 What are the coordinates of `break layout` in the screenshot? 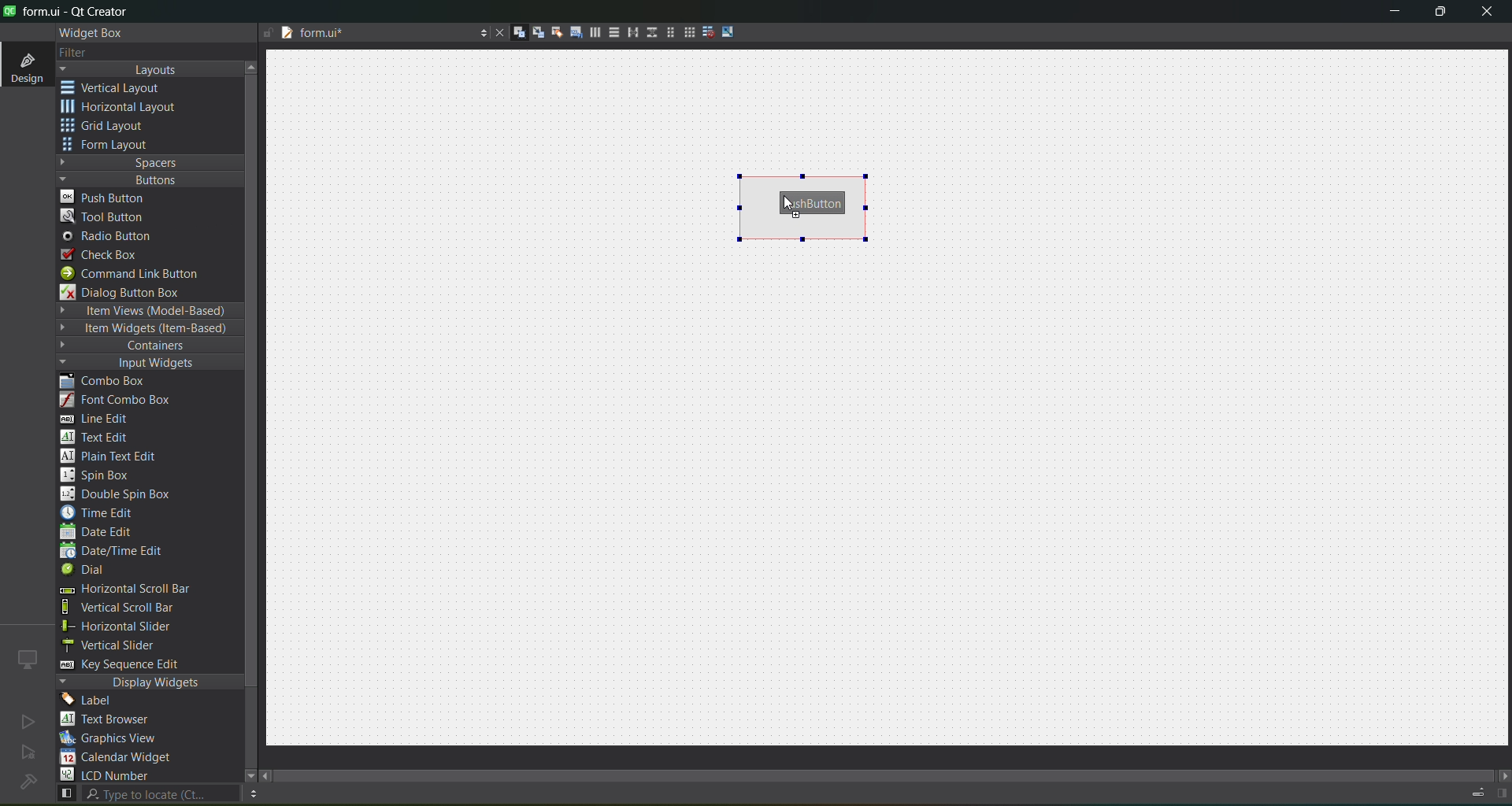 It's located at (704, 33).